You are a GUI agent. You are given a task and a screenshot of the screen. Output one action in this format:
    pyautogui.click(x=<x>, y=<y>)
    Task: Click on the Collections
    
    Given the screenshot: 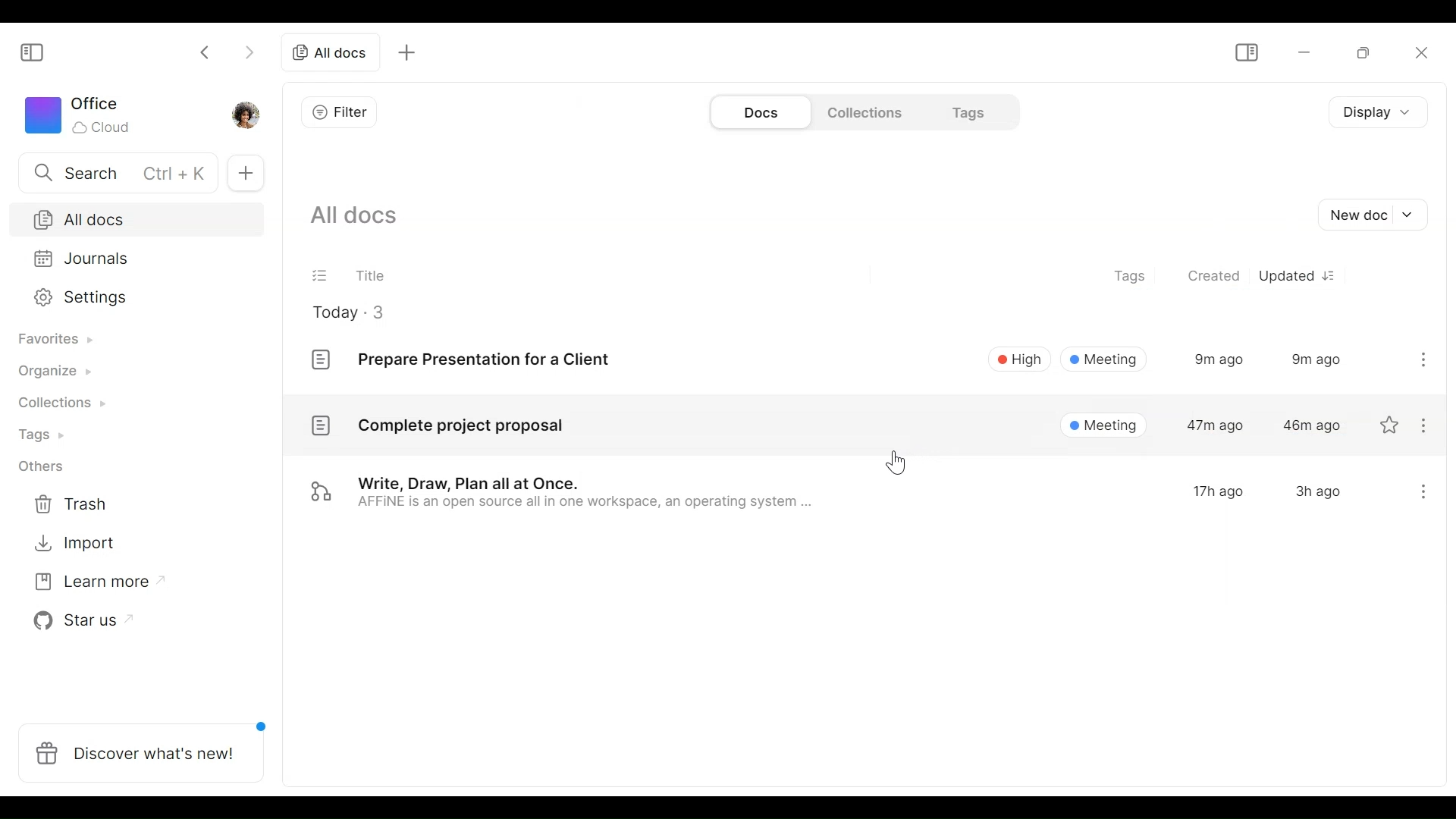 What is the action you would take?
    pyautogui.click(x=868, y=111)
    